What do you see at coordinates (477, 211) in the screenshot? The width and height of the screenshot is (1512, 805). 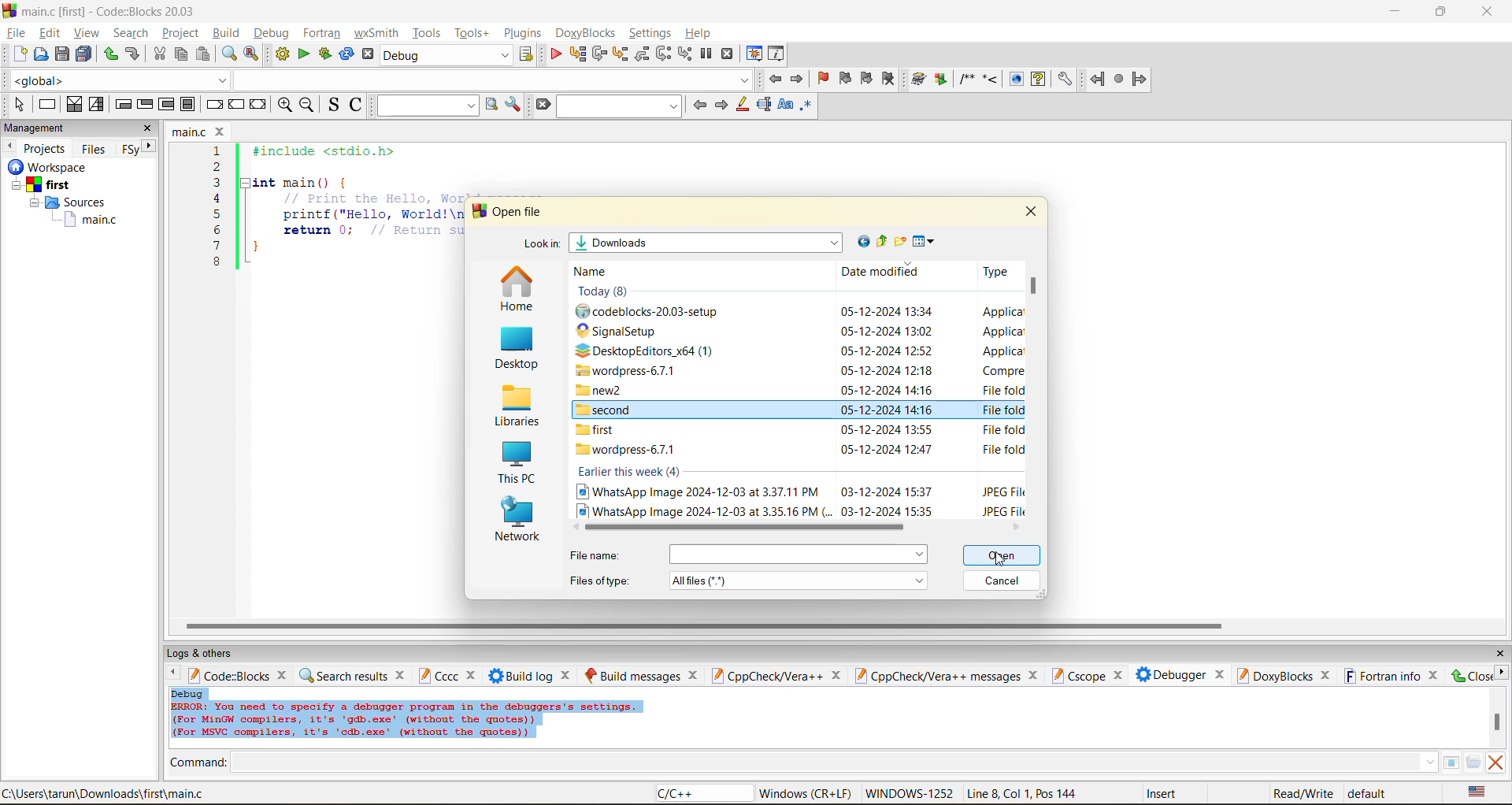 I see `logo` at bounding box center [477, 211].